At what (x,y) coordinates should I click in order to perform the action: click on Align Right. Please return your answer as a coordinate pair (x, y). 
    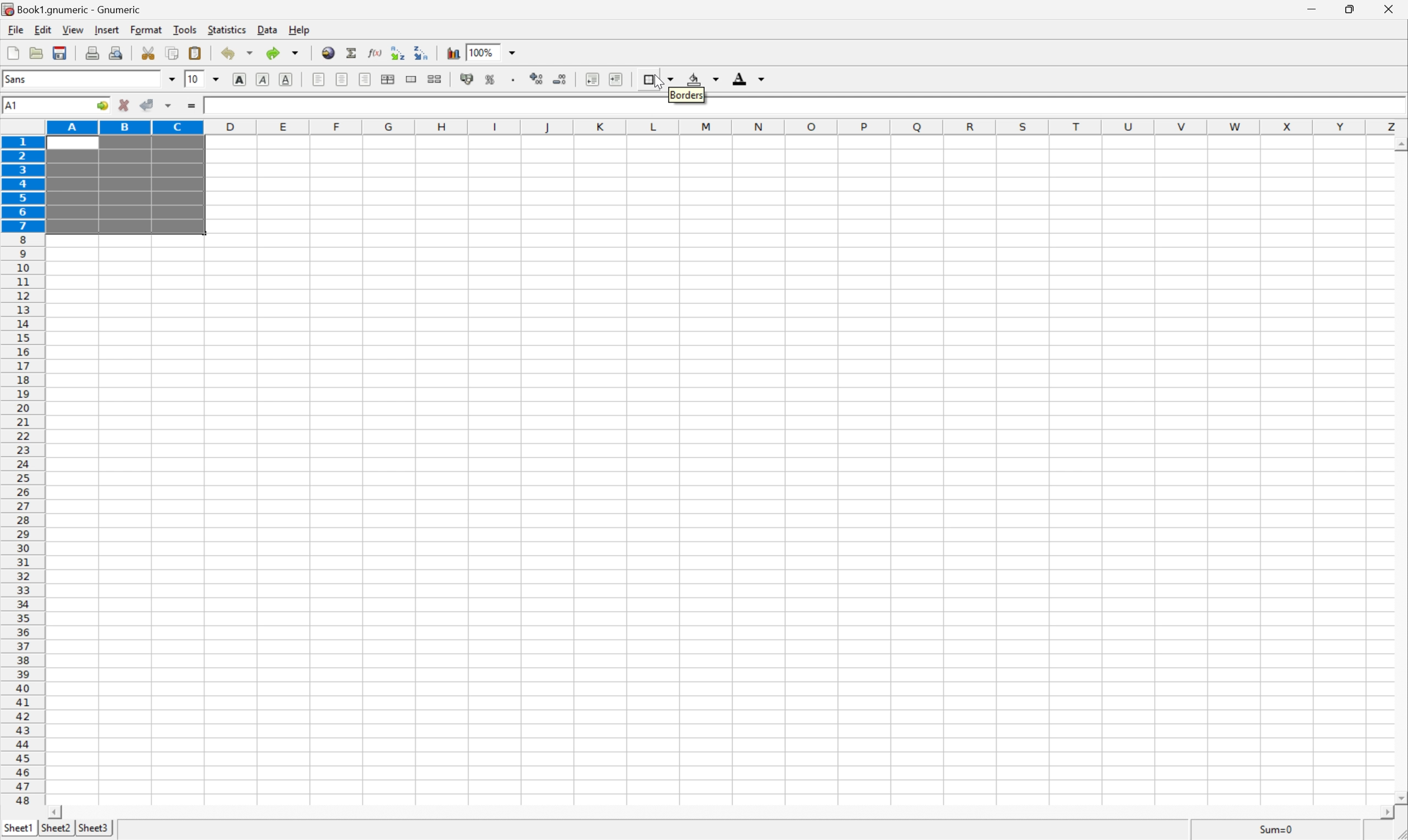
    Looking at the image, I should click on (366, 79).